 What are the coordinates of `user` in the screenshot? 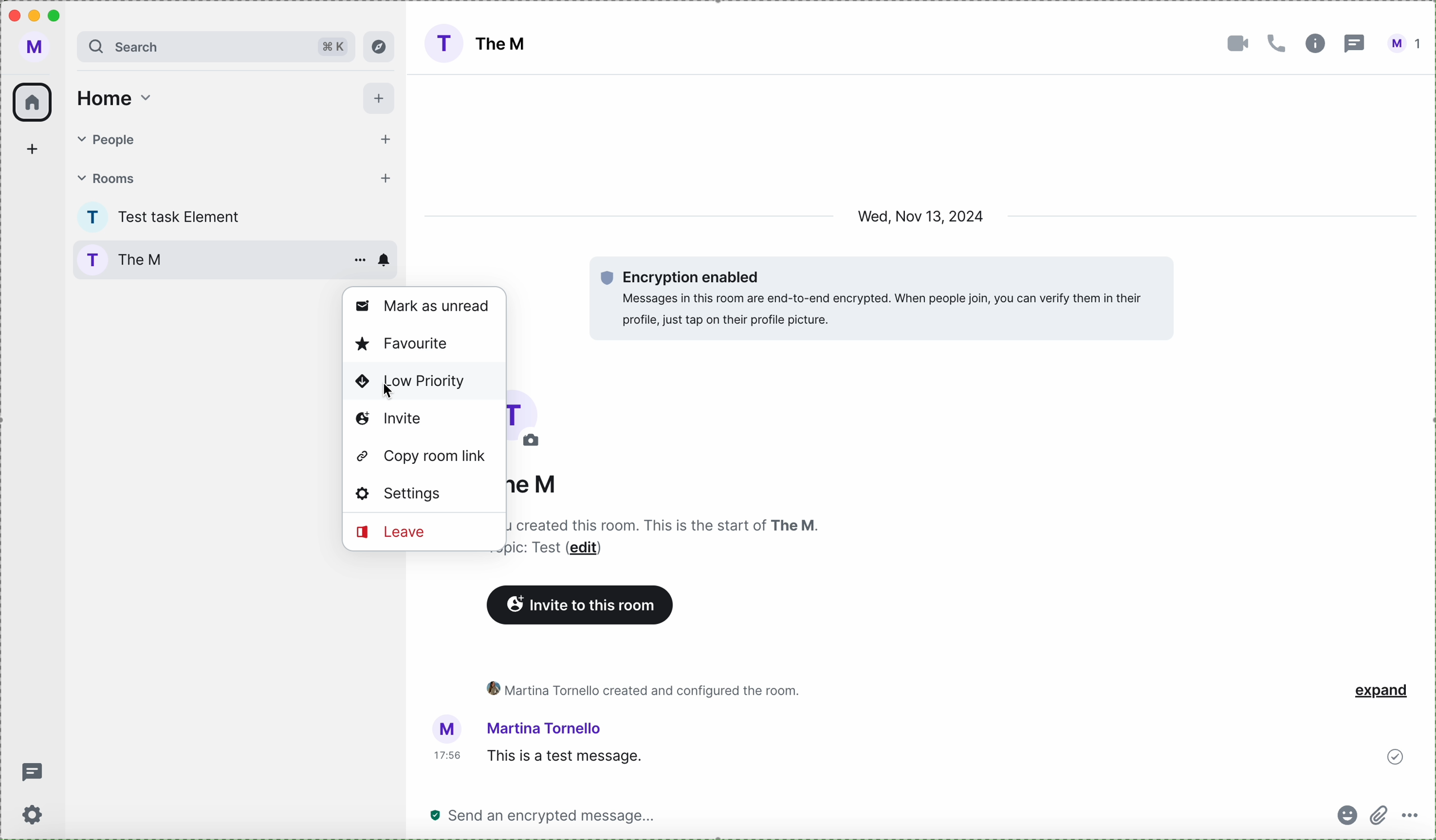 It's located at (1402, 44).